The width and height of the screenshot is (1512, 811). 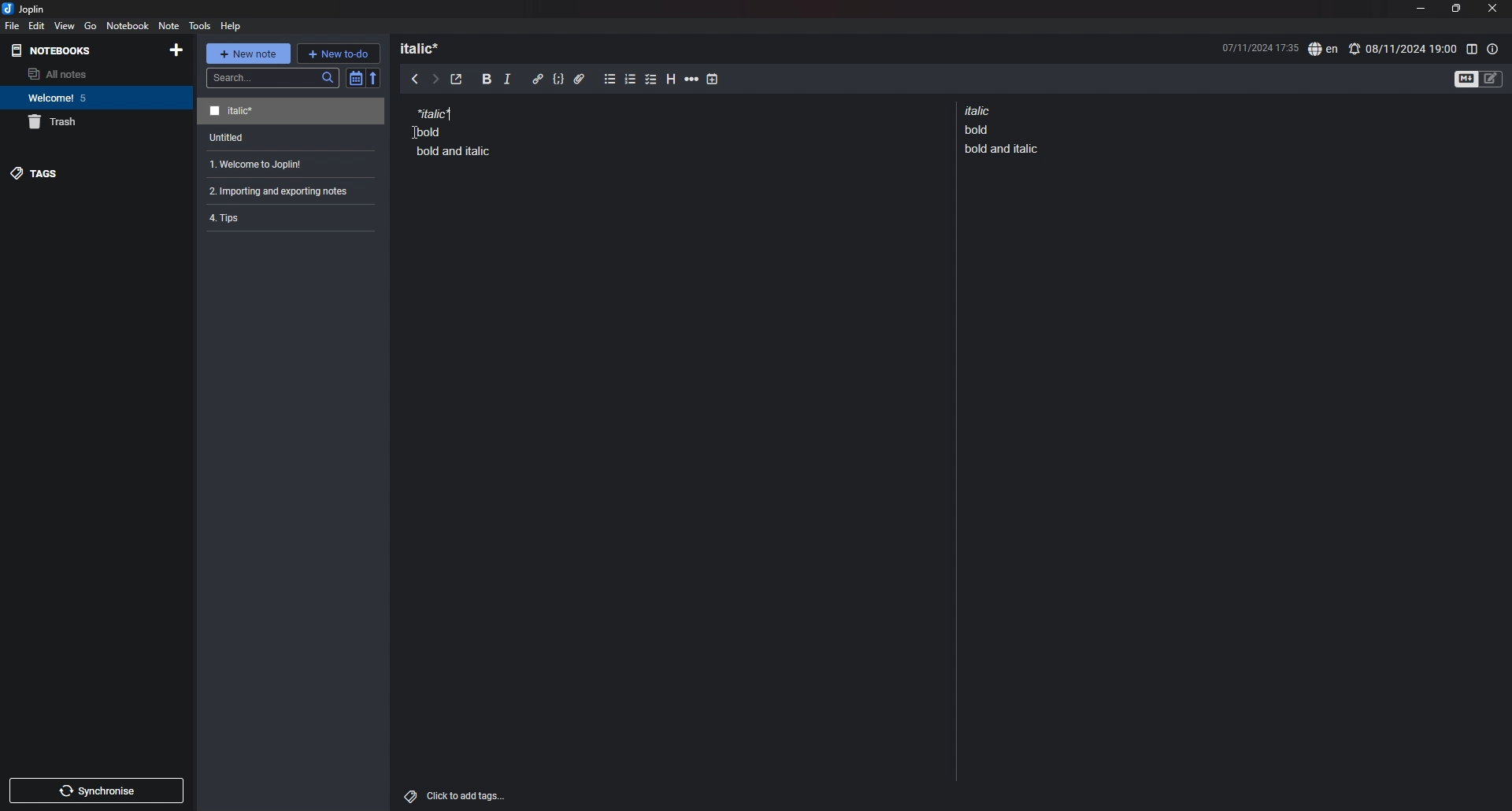 I want to click on note properties, so click(x=1493, y=49).